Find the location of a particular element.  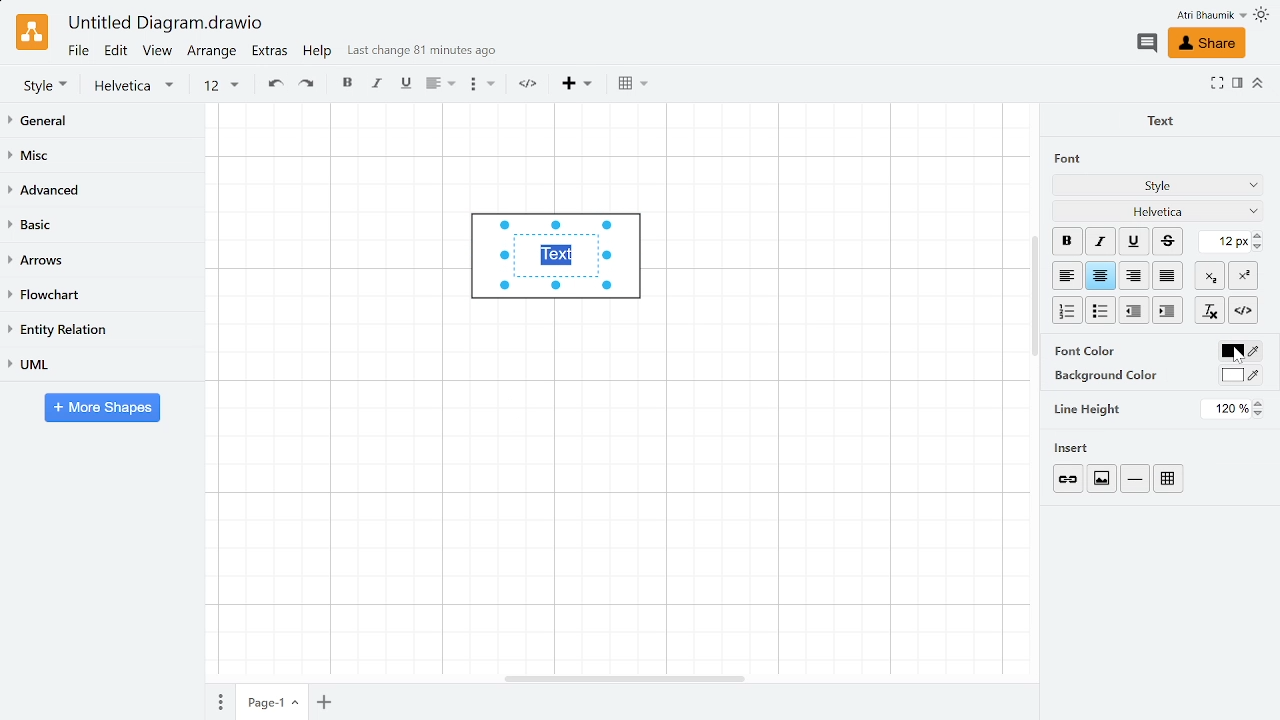

italics is located at coordinates (378, 85).